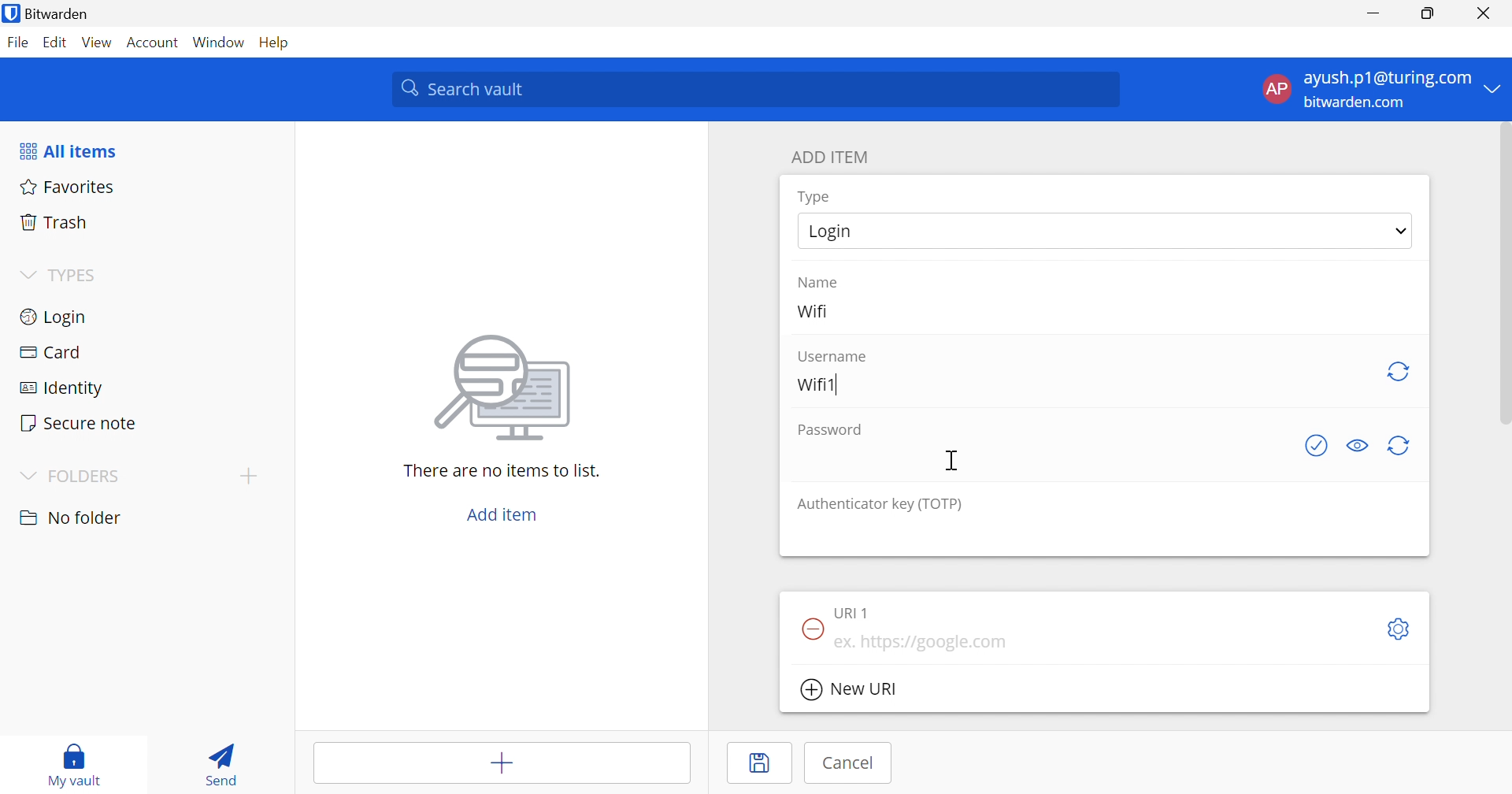 This screenshot has height=794, width=1512. Describe the element at coordinates (835, 429) in the screenshot. I see `Password` at that location.